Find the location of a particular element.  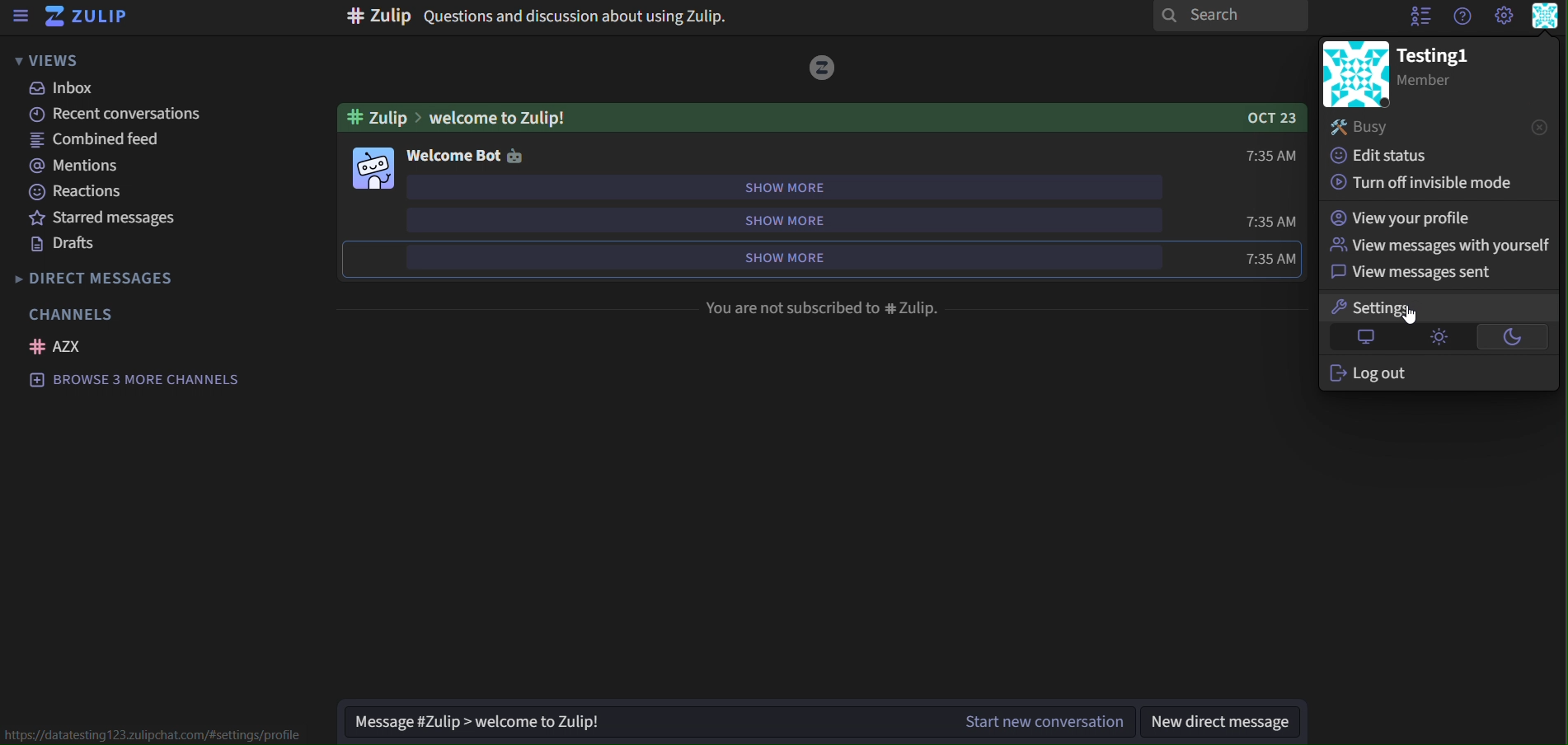

icon is located at coordinates (824, 68).